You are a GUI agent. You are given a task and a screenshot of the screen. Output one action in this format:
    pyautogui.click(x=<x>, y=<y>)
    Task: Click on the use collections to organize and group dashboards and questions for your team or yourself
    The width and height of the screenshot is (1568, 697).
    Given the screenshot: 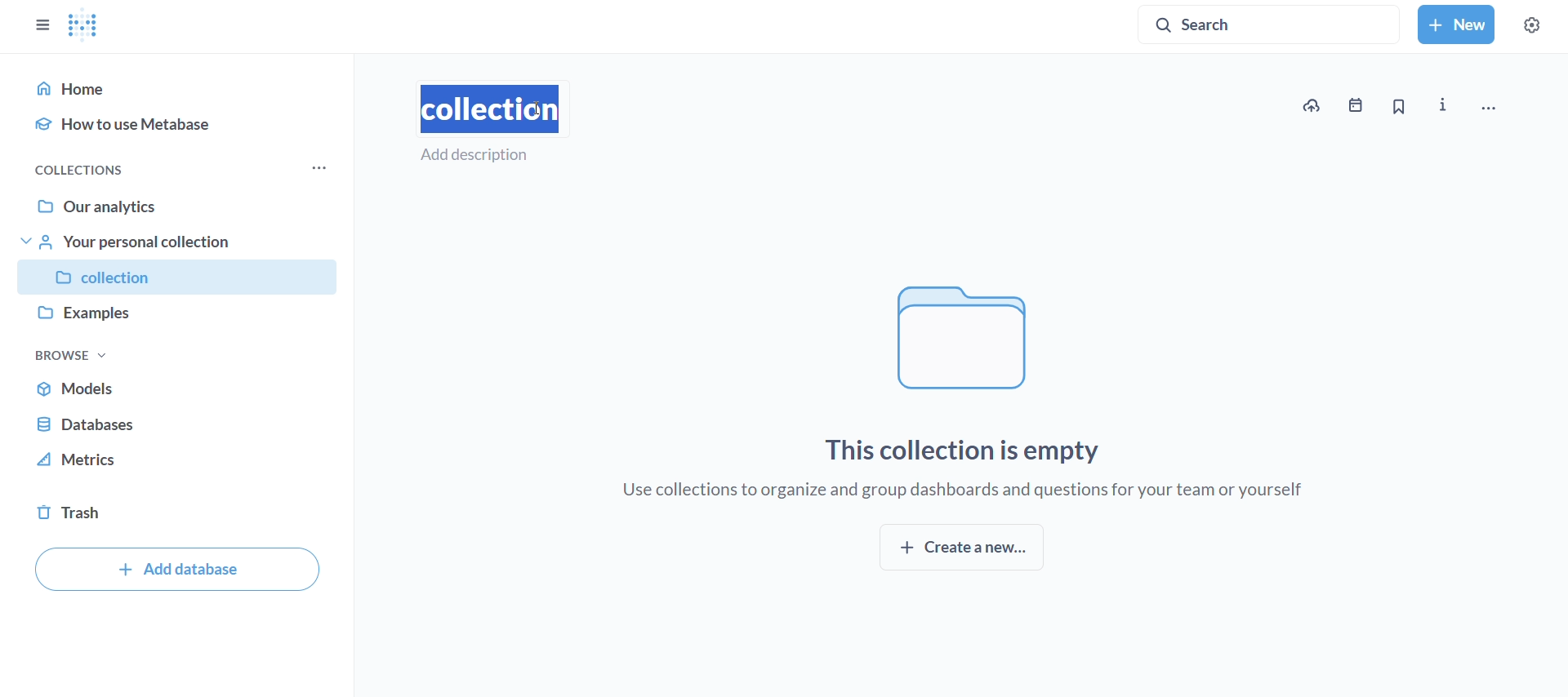 What is the action you would take?
    pyautogui.click(x=966, y=491)
    